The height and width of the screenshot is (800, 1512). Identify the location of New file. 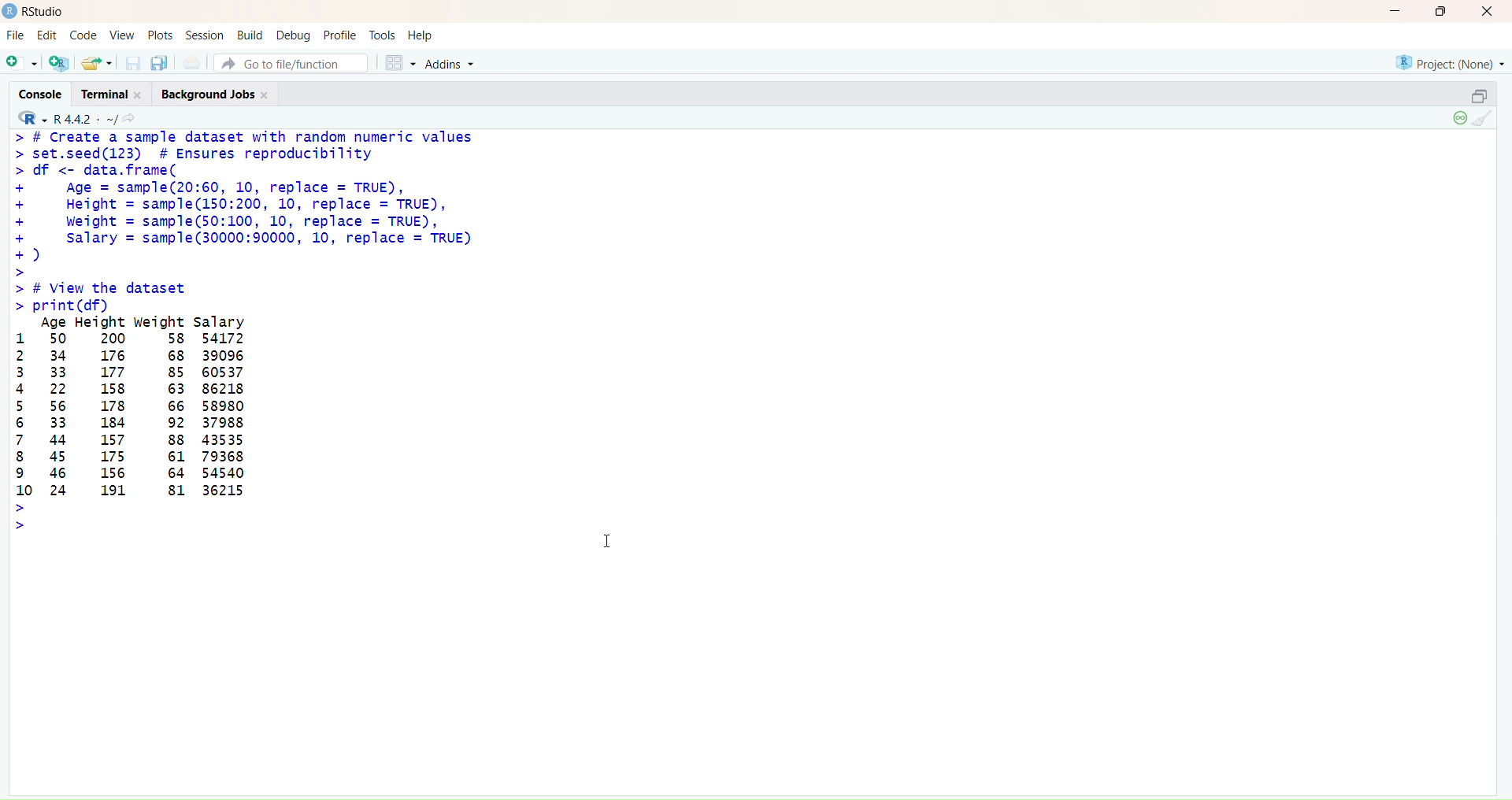
(22, 61).